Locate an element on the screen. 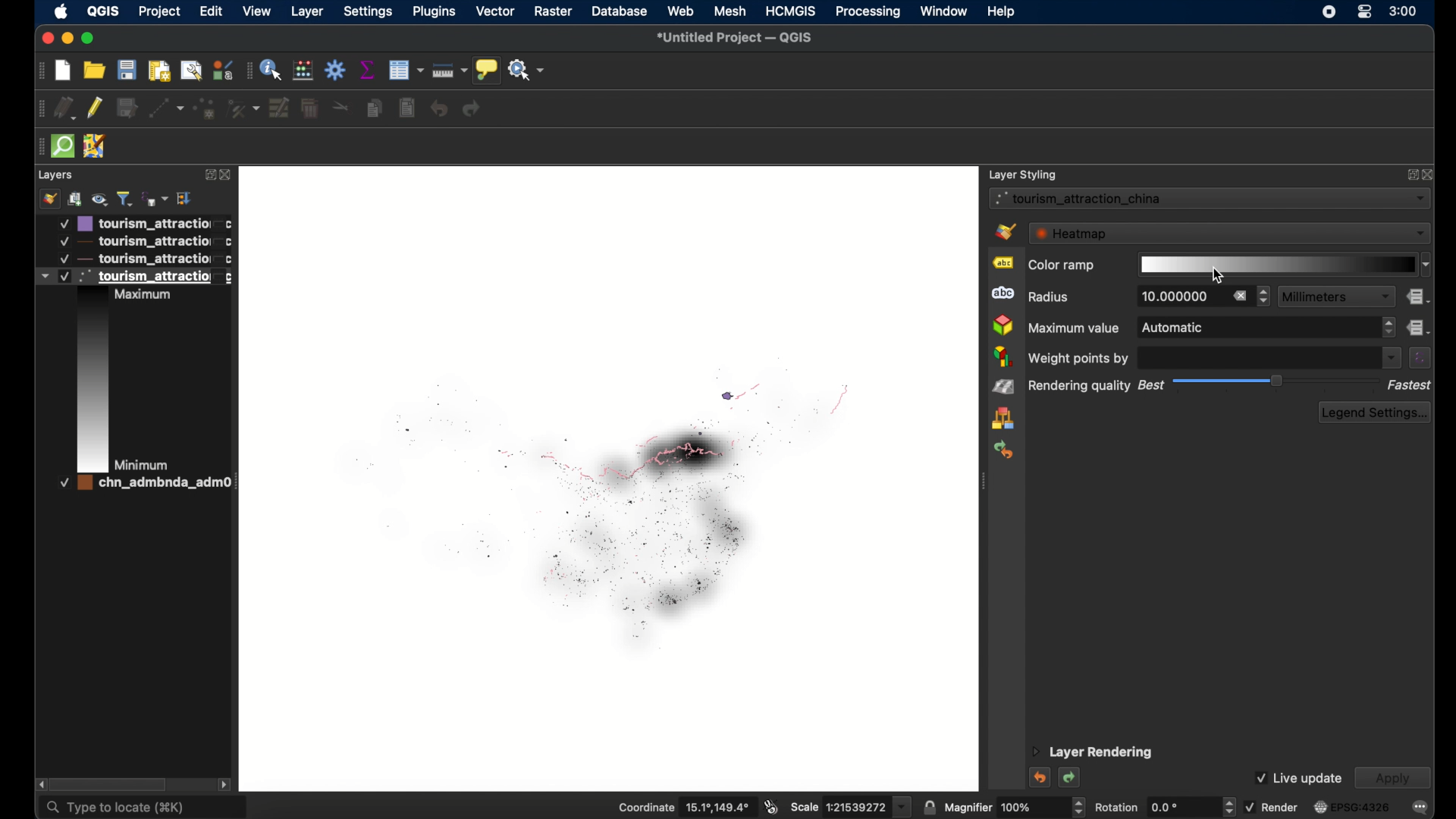 The width and height of the screenshot is (1456, 819). mesh is located at coordinates (730, 11).